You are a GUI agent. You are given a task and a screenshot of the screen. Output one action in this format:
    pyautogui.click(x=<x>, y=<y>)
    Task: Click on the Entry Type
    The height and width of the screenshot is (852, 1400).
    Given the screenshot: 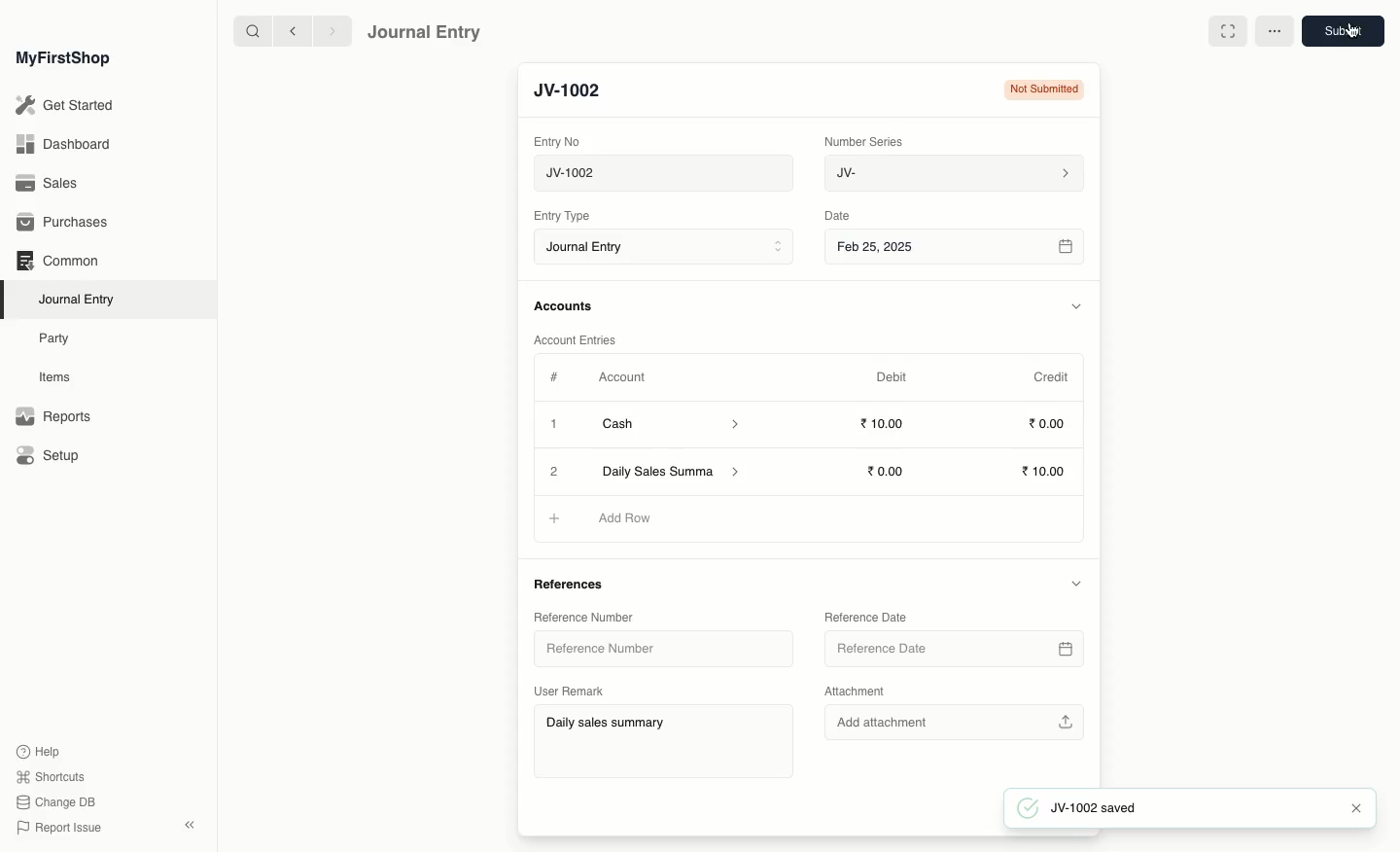 What is the action you would take?
    pyautogui.click(x=568, y=216)
    